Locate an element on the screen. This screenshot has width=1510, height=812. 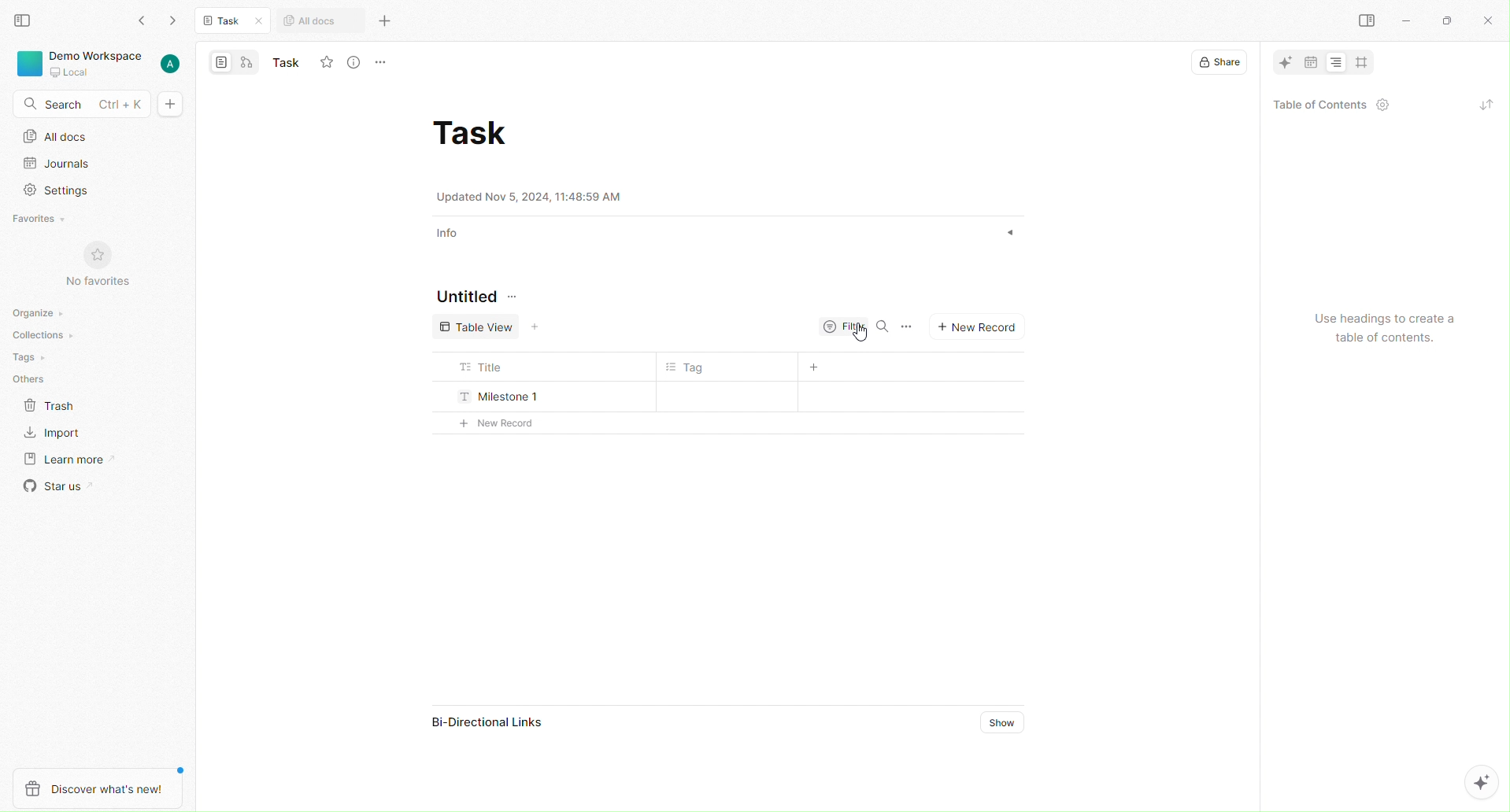
minimize is located at coordinates (1408, 20).